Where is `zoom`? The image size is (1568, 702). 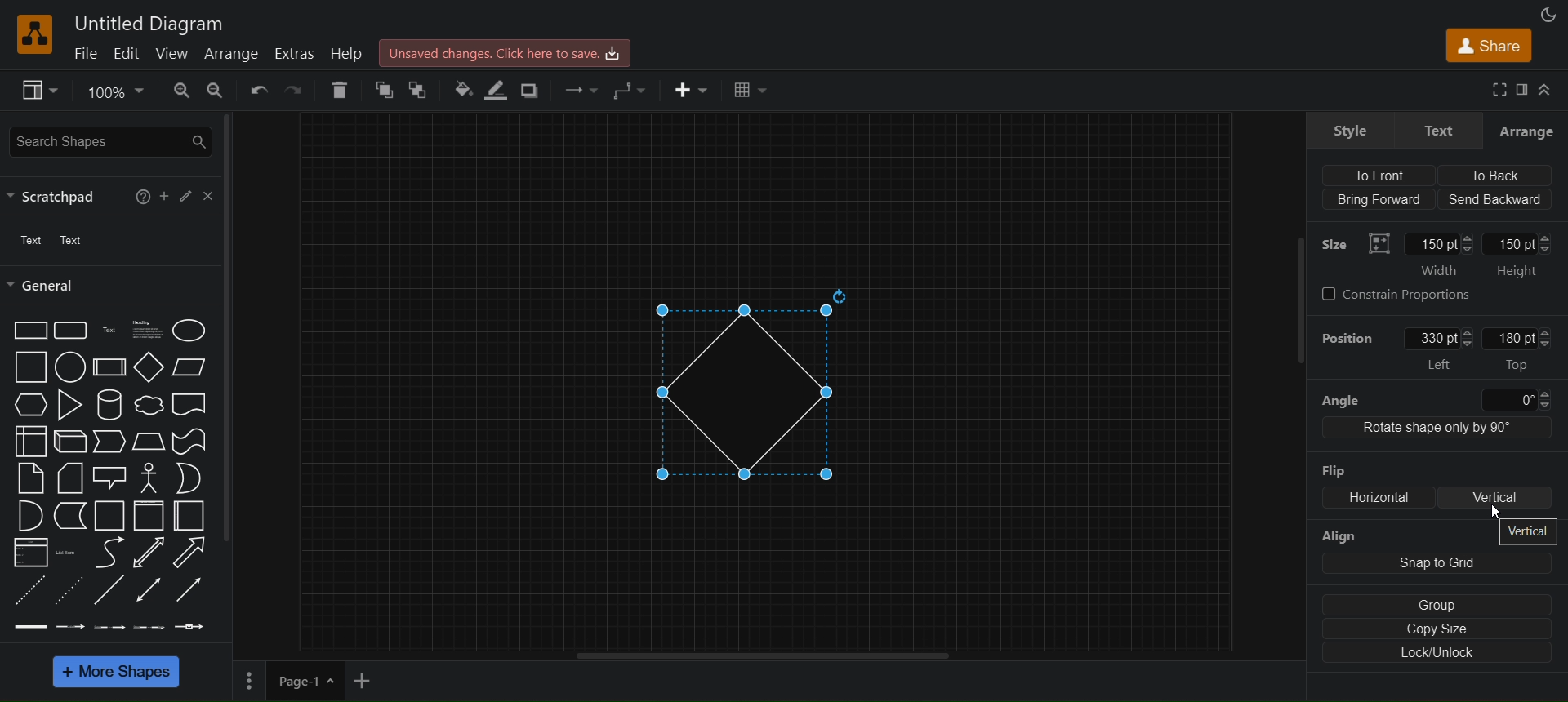 zoom is located at coordinates (115, 90).